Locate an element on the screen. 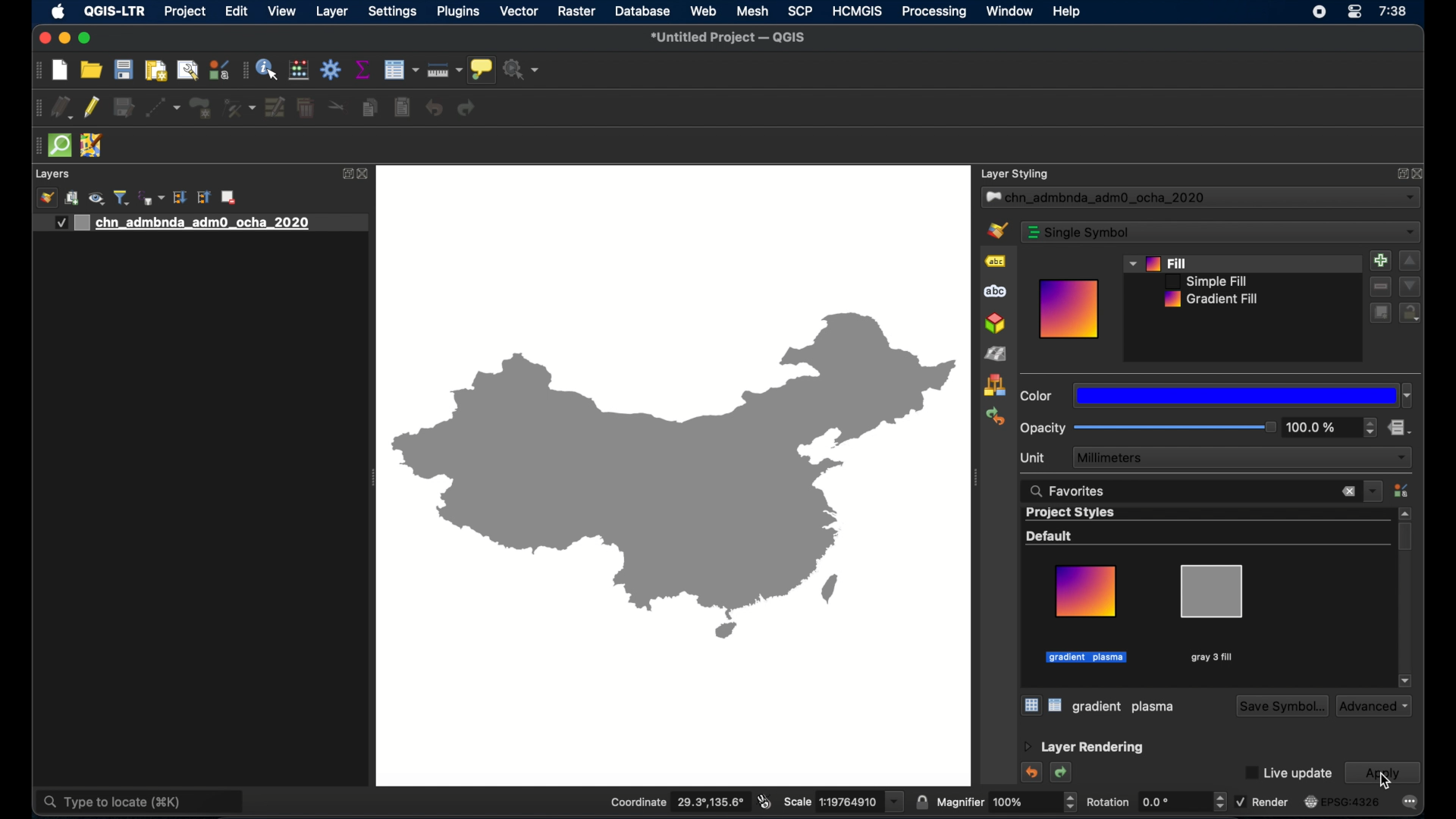 This screenshot has width=1456, height=819. plugins is located at coordinates (460, 11).